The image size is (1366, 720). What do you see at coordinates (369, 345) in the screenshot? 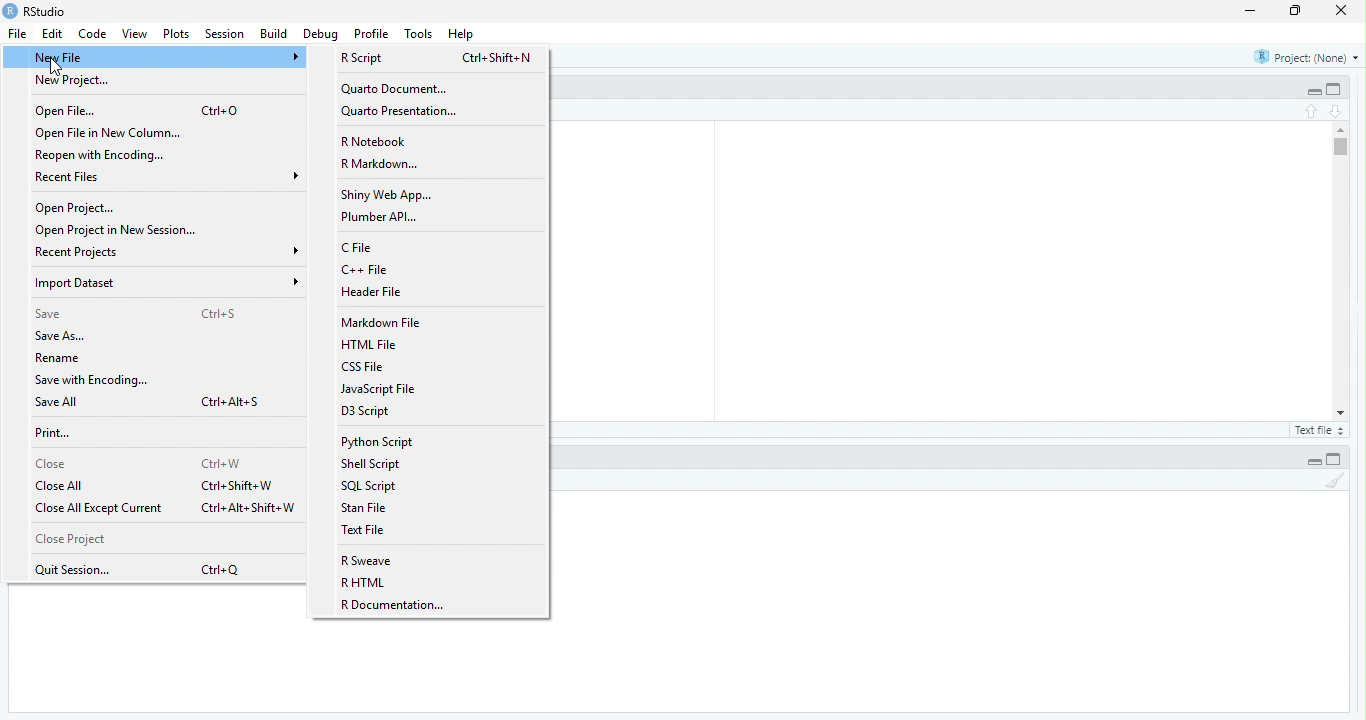
I see `HTML File` at bounding box center [369, 345].